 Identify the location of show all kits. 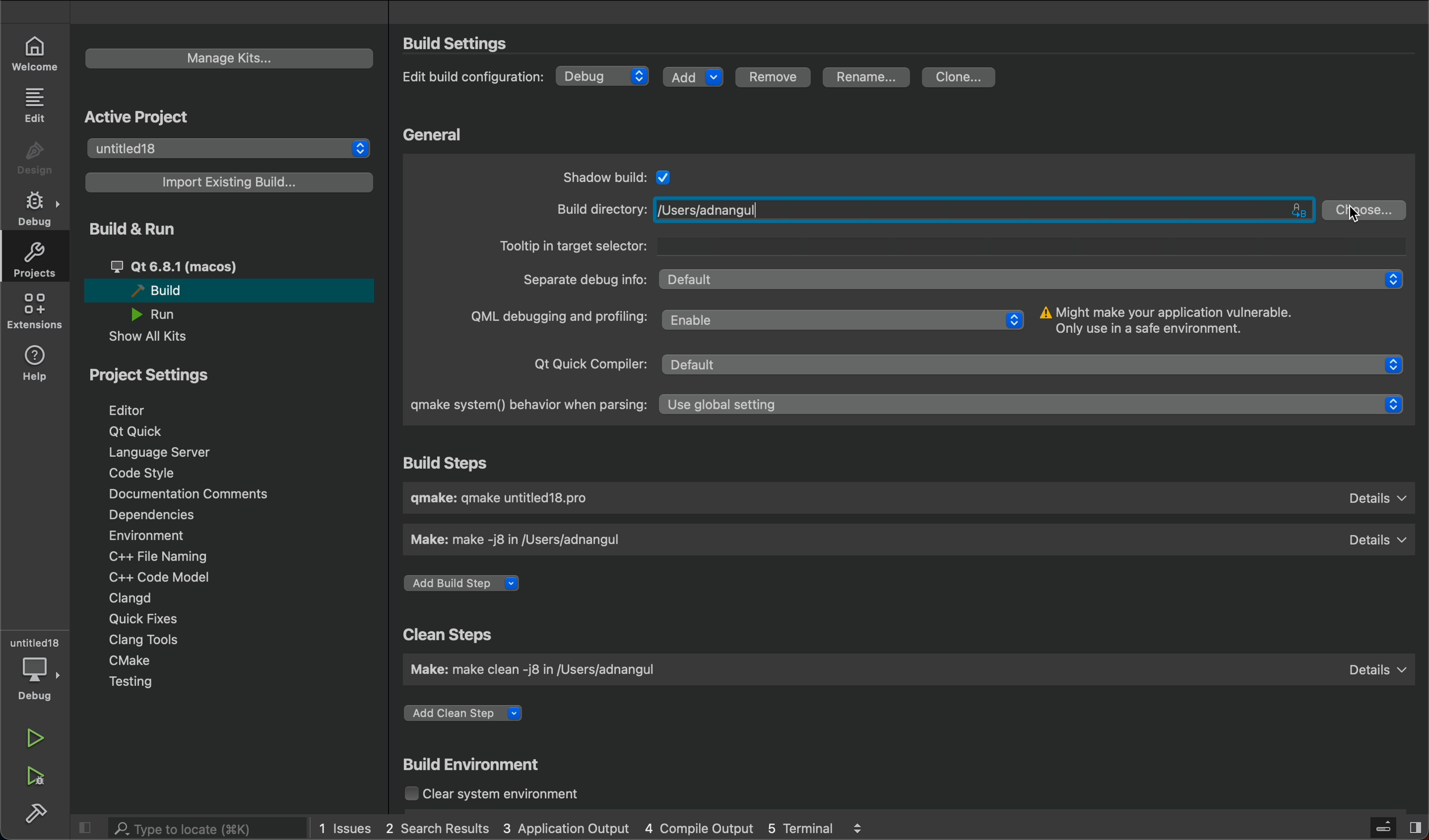
(147, 338).